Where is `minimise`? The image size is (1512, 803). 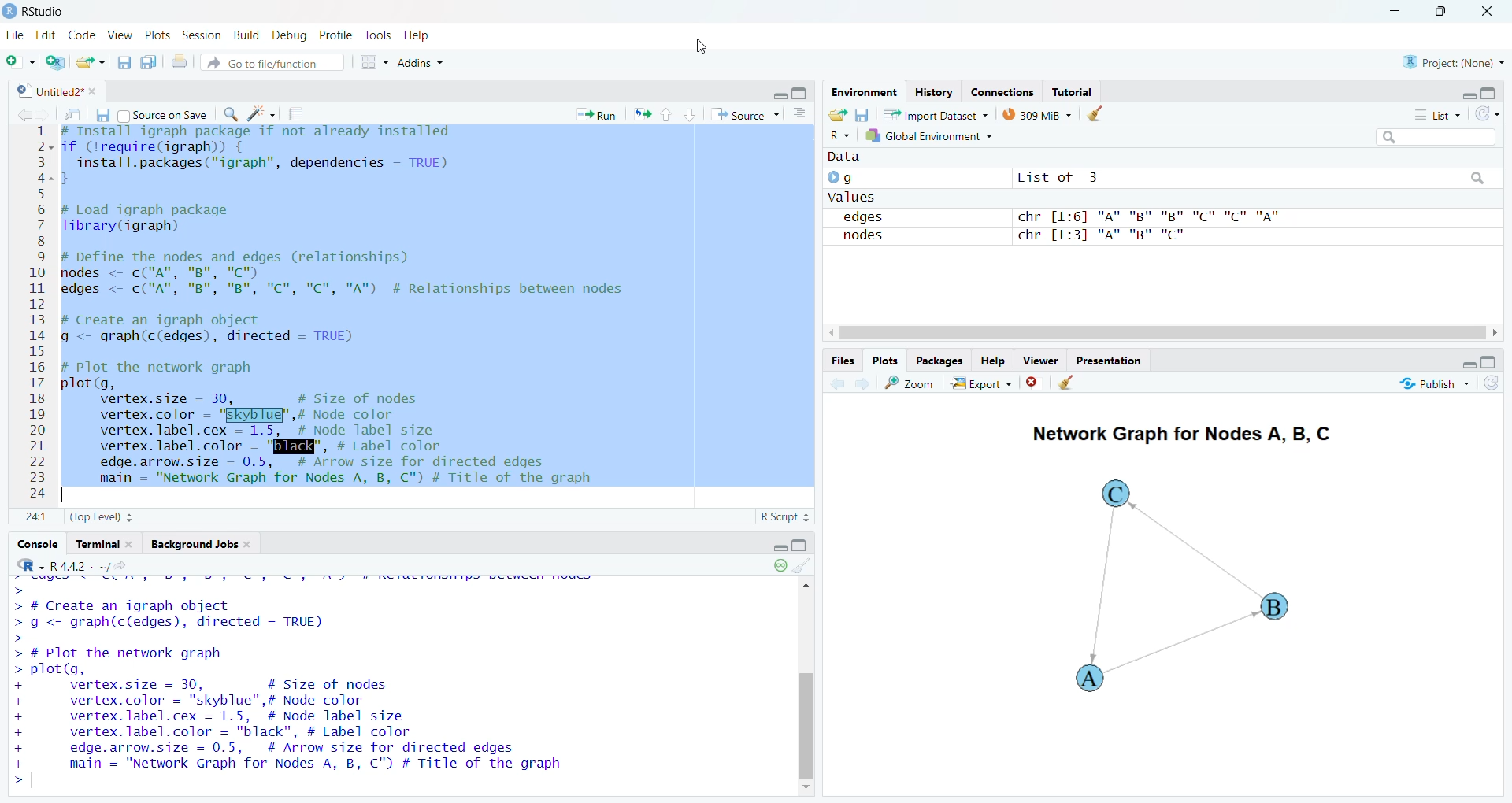 minimise is located at coordinates (1463, 365).